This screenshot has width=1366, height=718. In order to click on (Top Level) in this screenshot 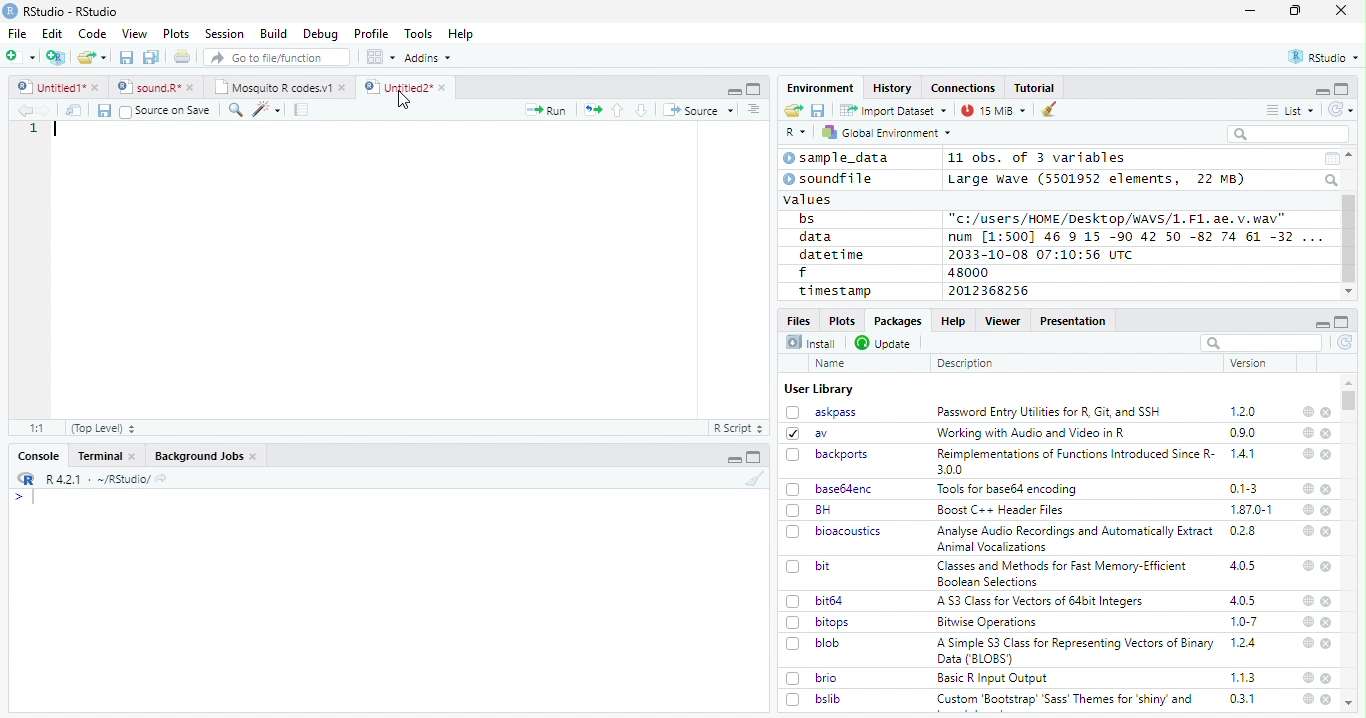, I will do `click(102, 428)`.